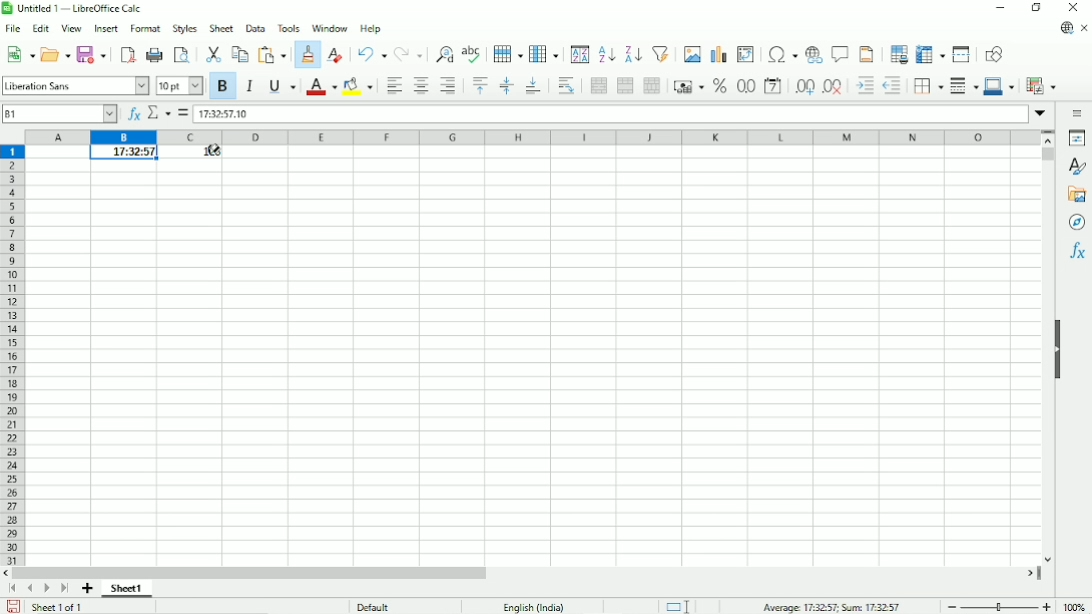 Image resolution: width=1092 pixels, height=614 pixels. What do you see at coordinates (70, 29) in the screenshot?
I see `View` at bounding box center [70, 29].